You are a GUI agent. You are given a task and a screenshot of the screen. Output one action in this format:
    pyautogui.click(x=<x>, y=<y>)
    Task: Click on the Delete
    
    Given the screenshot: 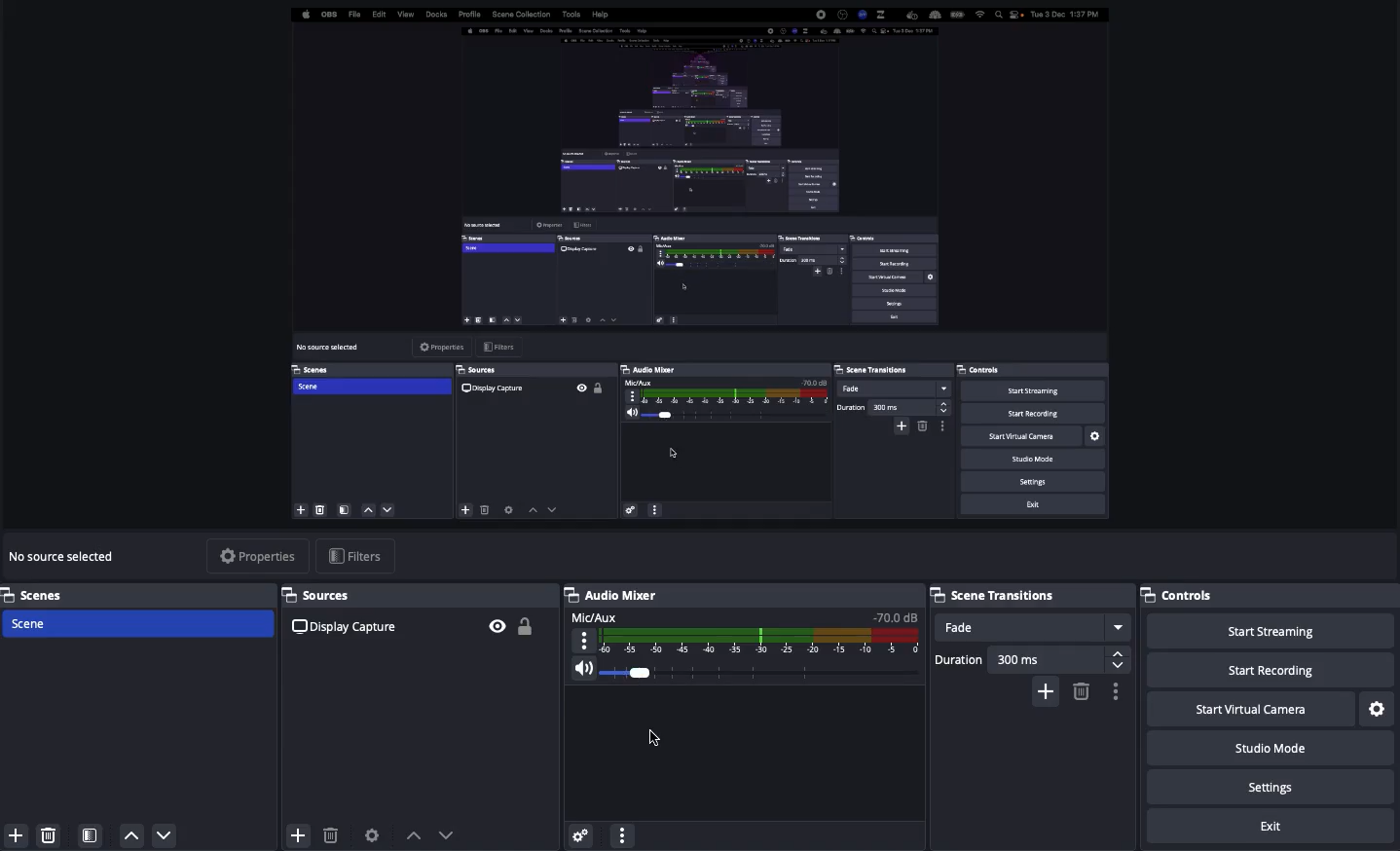 What is the action you would take?
    pyautogui.click(x=49, y=832)
    